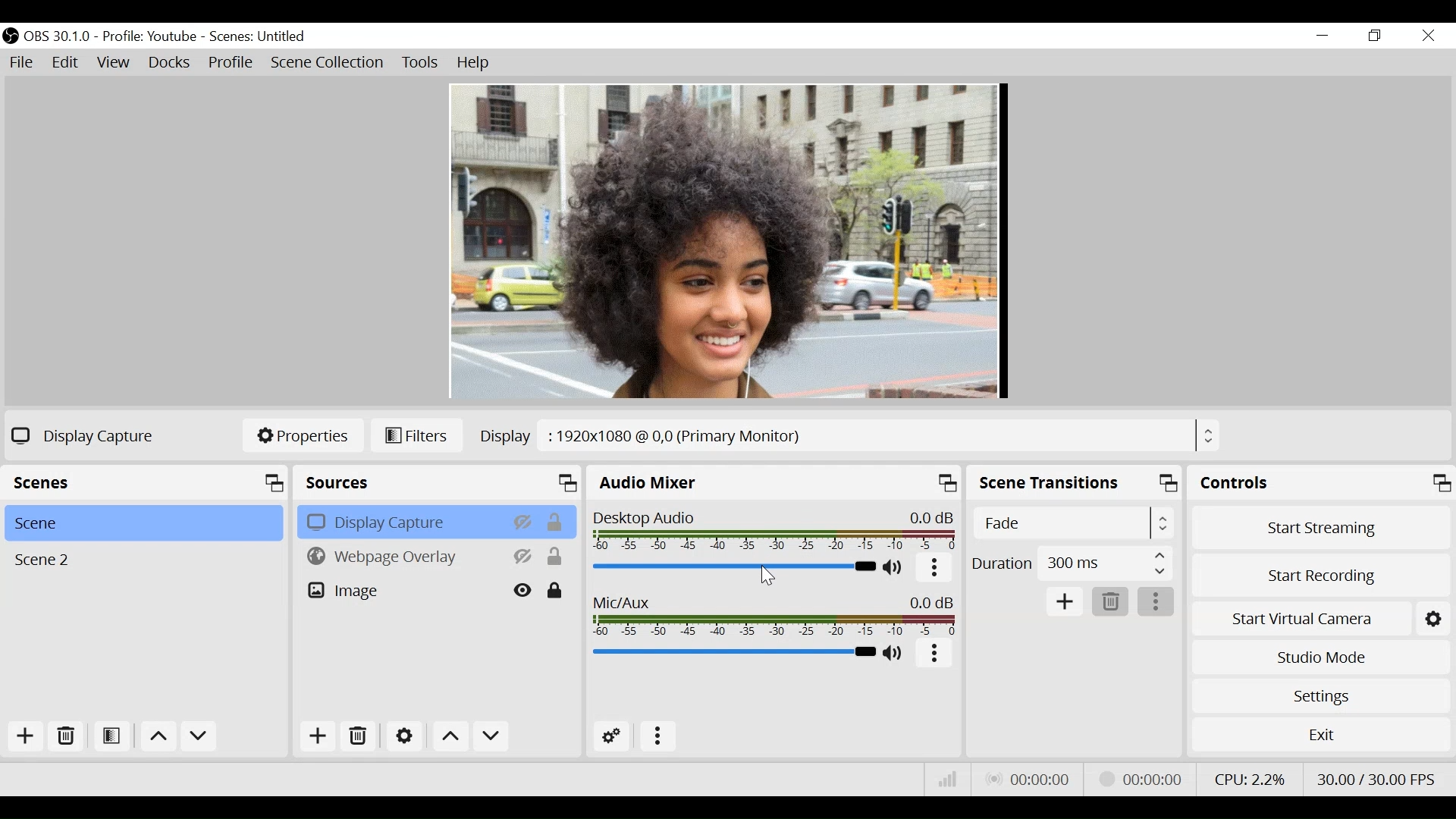  What do you see at coordinates (1319, 693) in the screenshot?
I see `Settings` at bounding box center [1319, 693].